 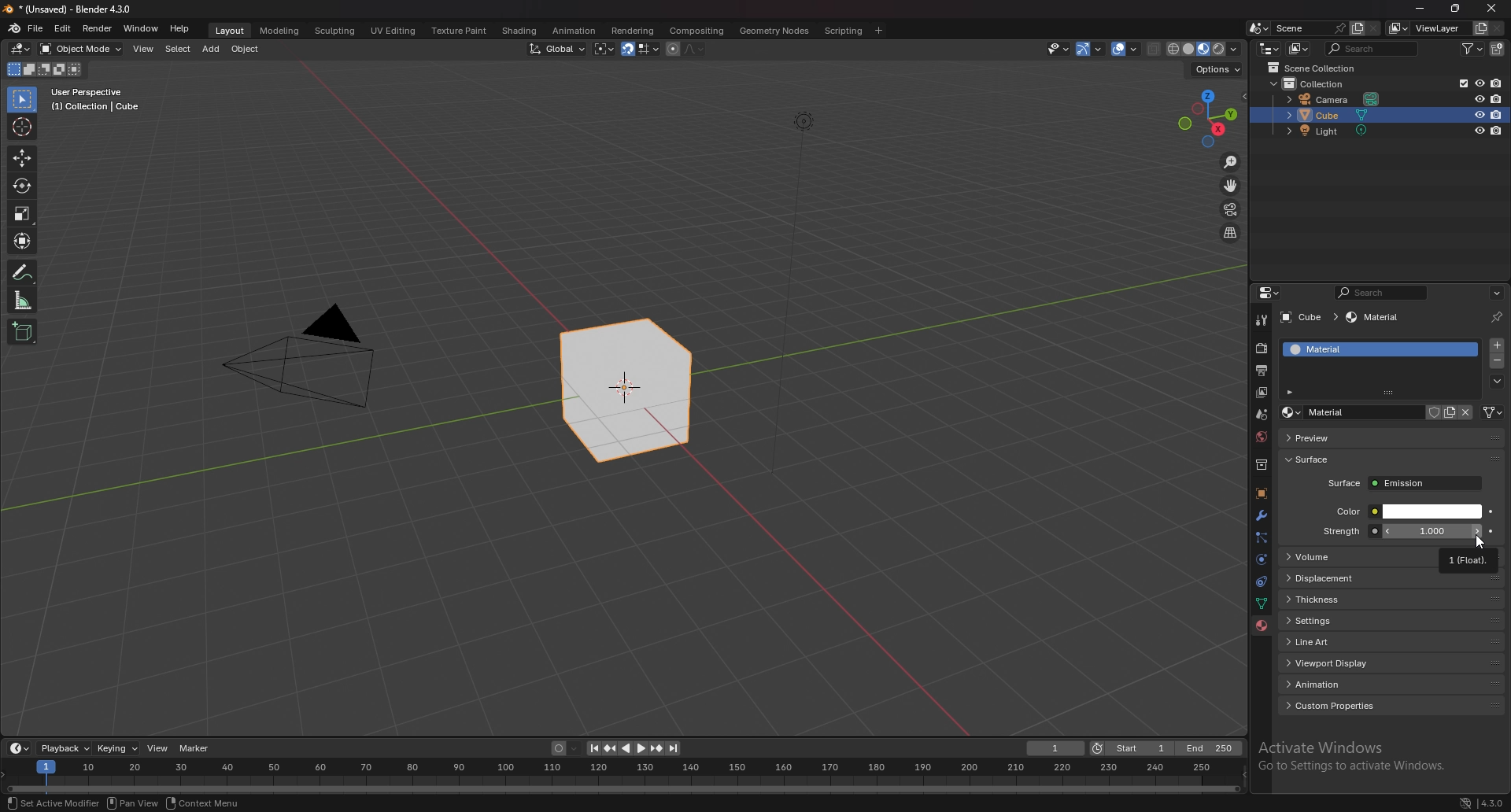 I want to click on toggle xray, so click(x=1154, y=49).